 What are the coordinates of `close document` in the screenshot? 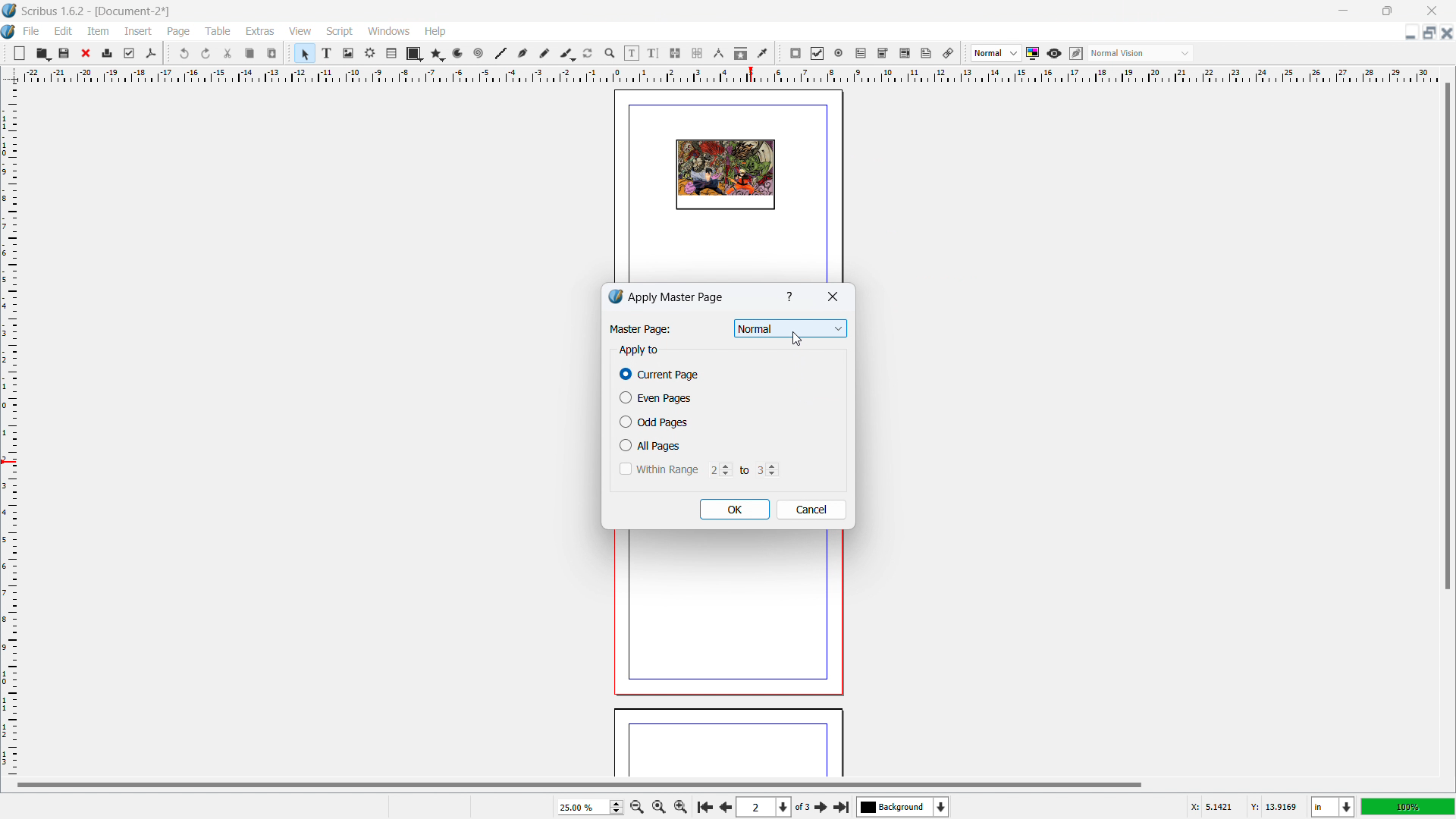 It's located at (1447, 33).